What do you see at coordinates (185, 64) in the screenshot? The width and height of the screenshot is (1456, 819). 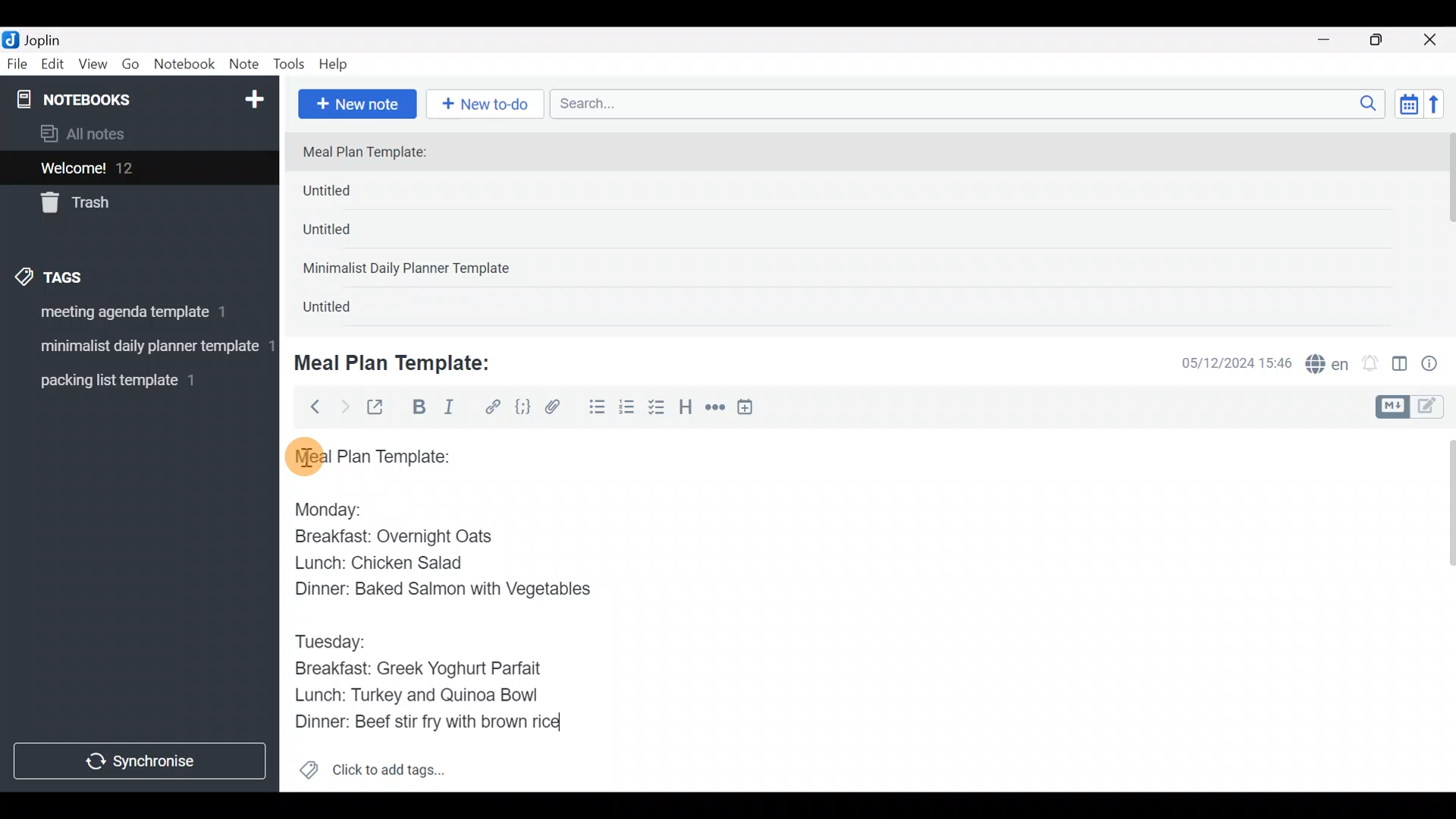 I see `Notebook` at bounding box center [185, 64].